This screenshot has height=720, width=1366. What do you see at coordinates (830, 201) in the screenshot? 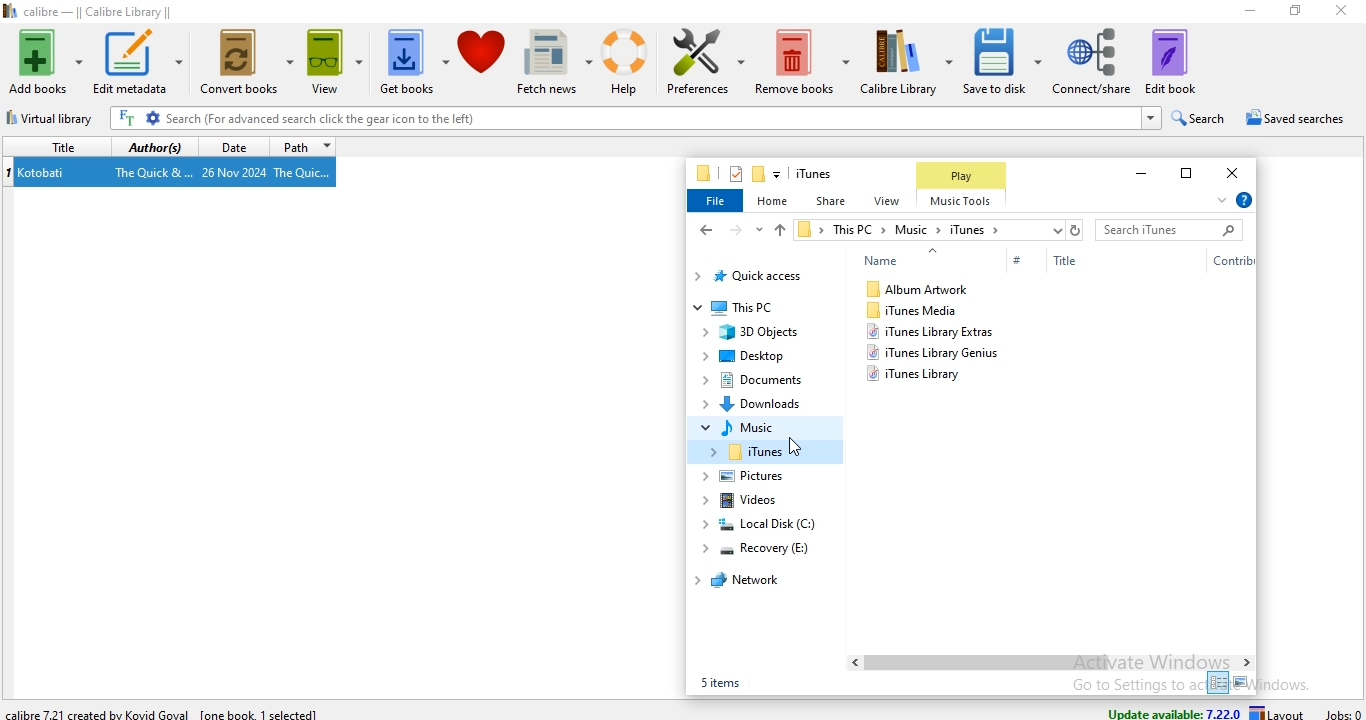
I see `share` at bounding box center [830, 201].